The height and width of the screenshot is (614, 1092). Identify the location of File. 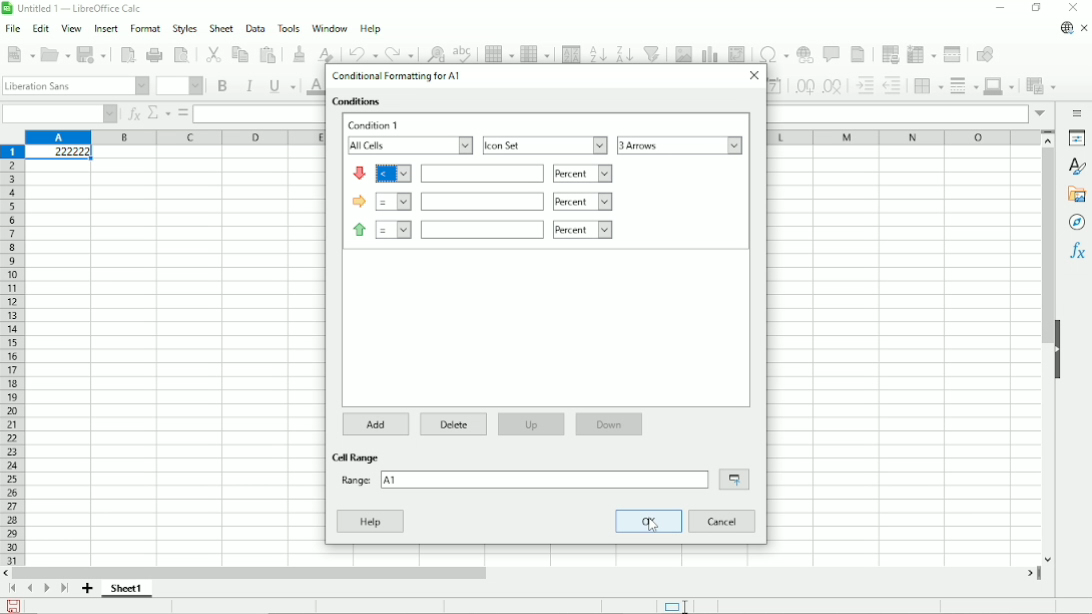
(13, 29).